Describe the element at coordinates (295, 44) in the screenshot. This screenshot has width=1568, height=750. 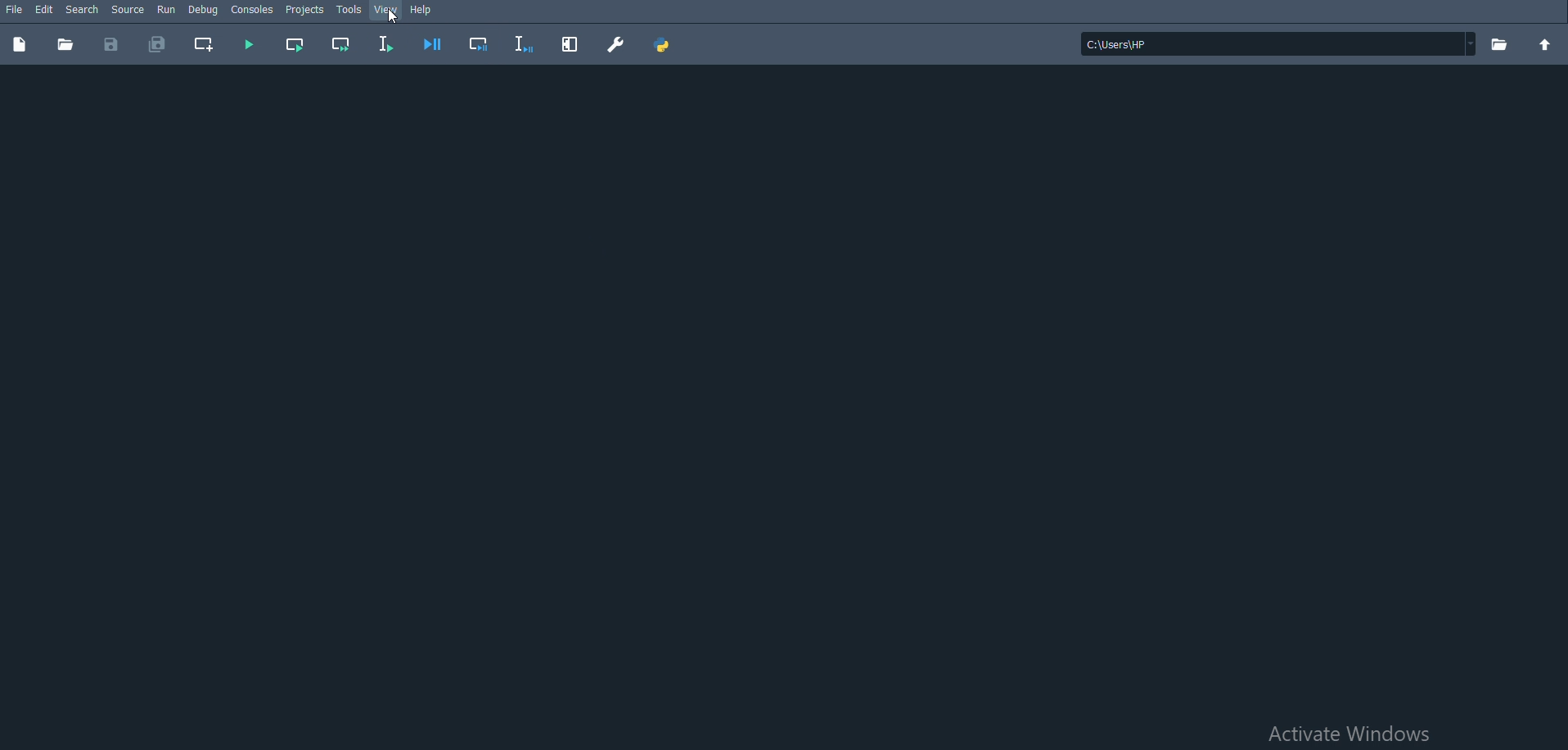
I see `Run current cell` at that location.